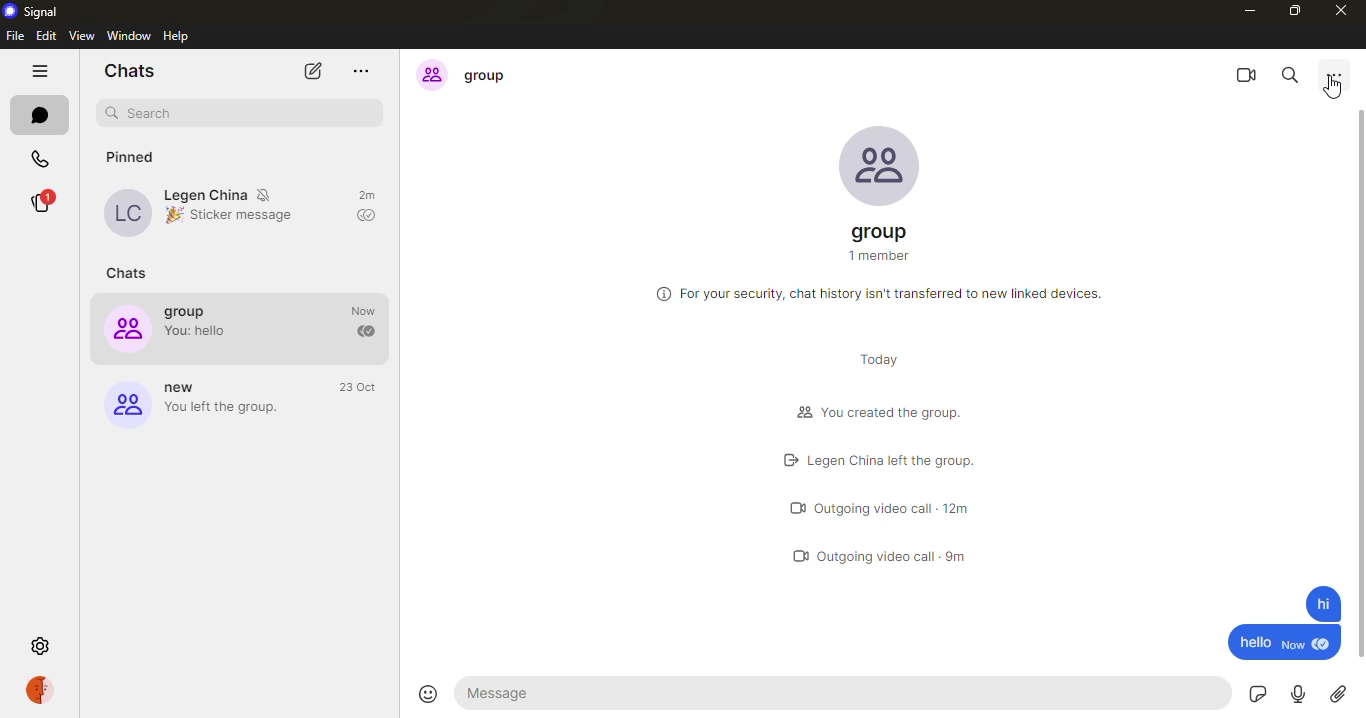  What do you see at coordinates (1357, 383) in the screenshot?
I see `scroll bar` at bounding box center [1357, 383].